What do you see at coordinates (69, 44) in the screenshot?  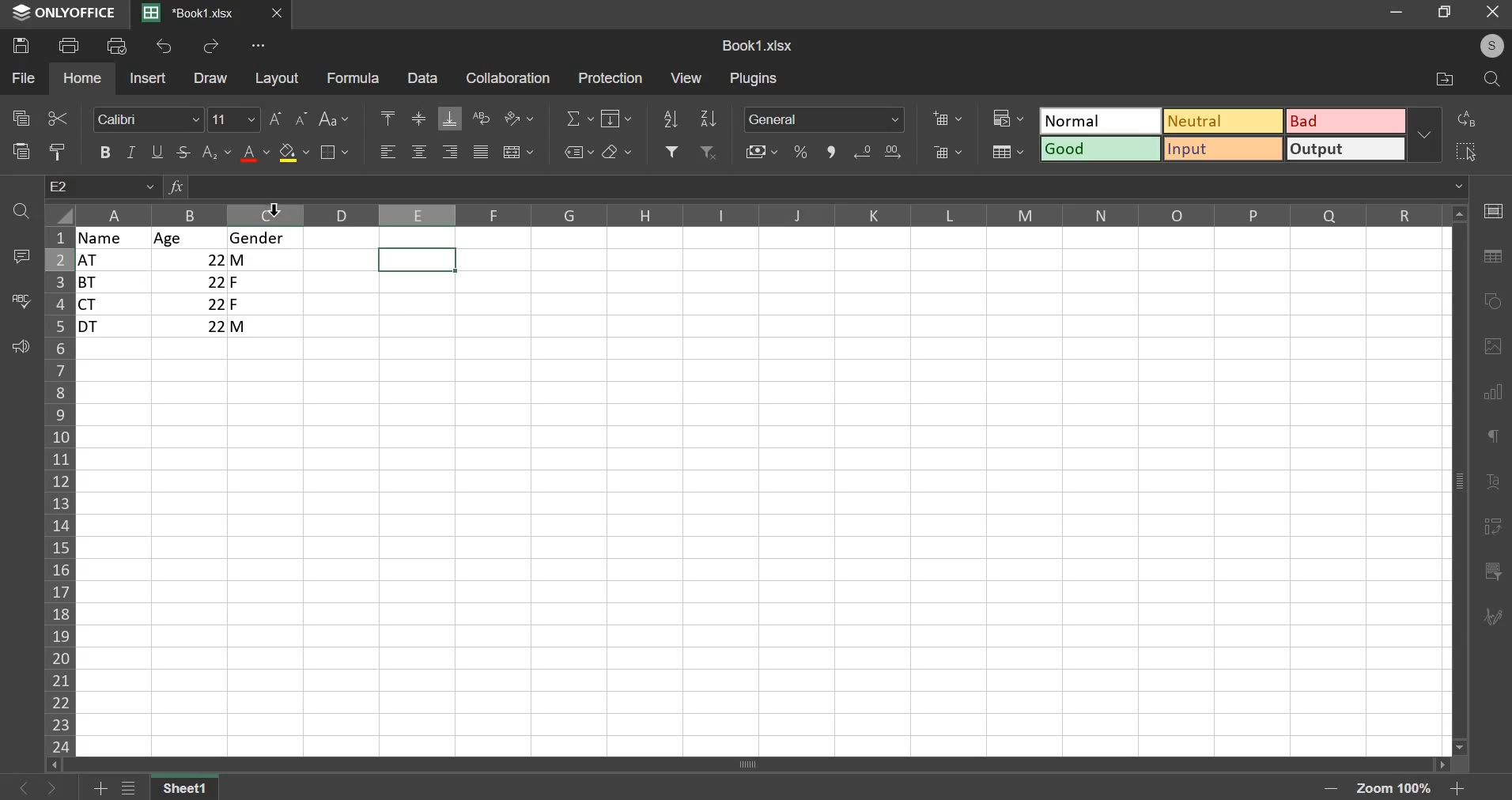 I see `print` at bounding box center [69, 44].